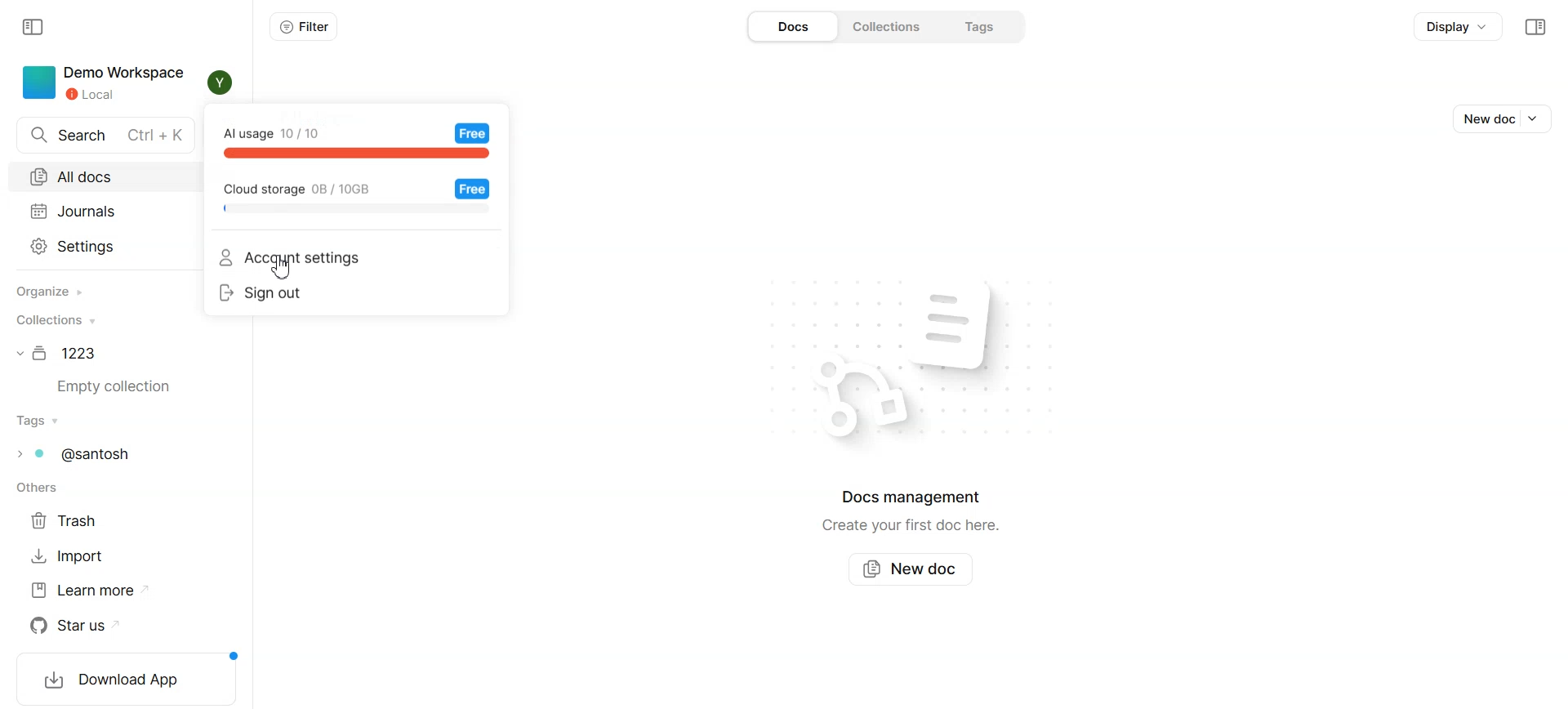 The image size is (1568, 709). I want to click on Organize, so click(48, 292).